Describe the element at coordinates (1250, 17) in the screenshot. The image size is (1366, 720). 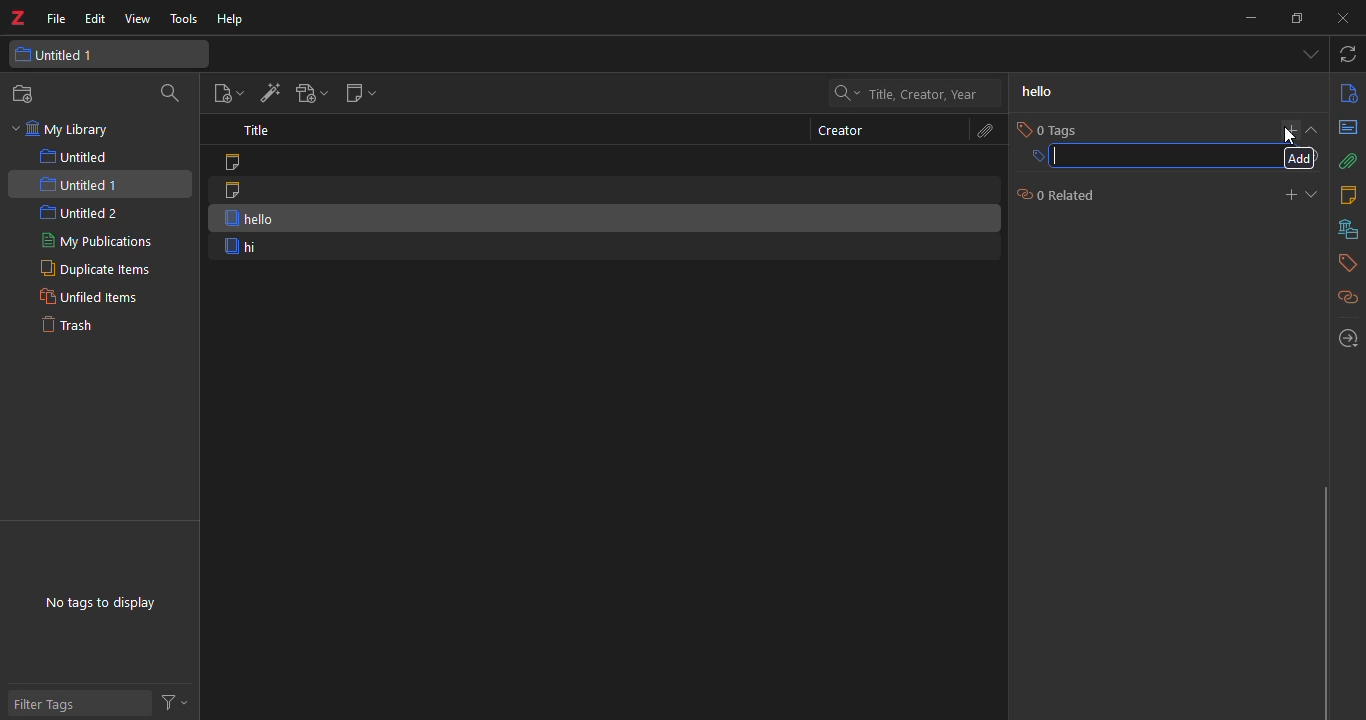
I see `minimize` at that location.